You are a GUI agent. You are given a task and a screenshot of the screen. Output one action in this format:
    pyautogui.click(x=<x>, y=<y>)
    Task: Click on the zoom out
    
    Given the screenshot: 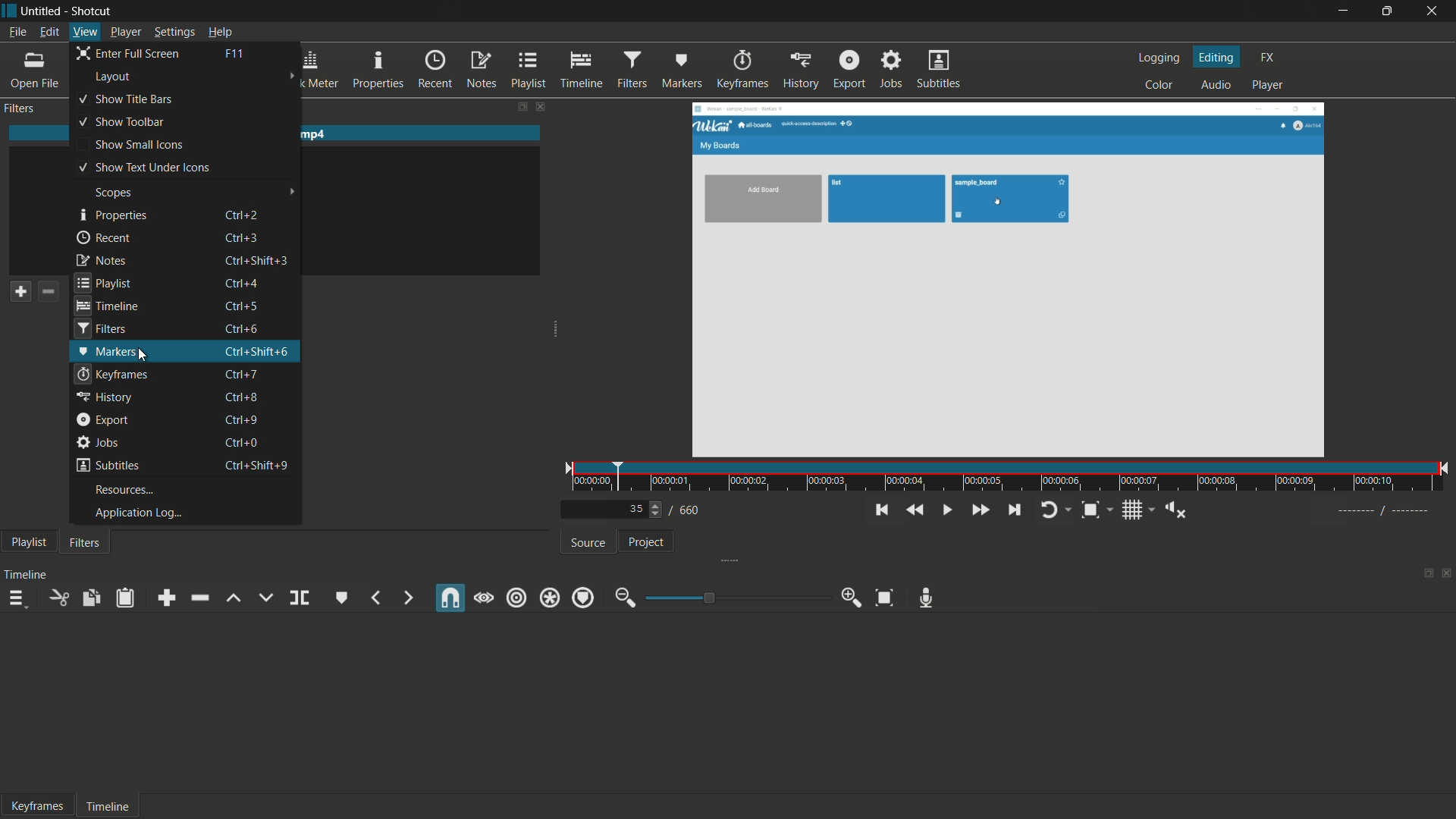 What is the action you would take?
    pyautogui.click(x=626, y=598)
    